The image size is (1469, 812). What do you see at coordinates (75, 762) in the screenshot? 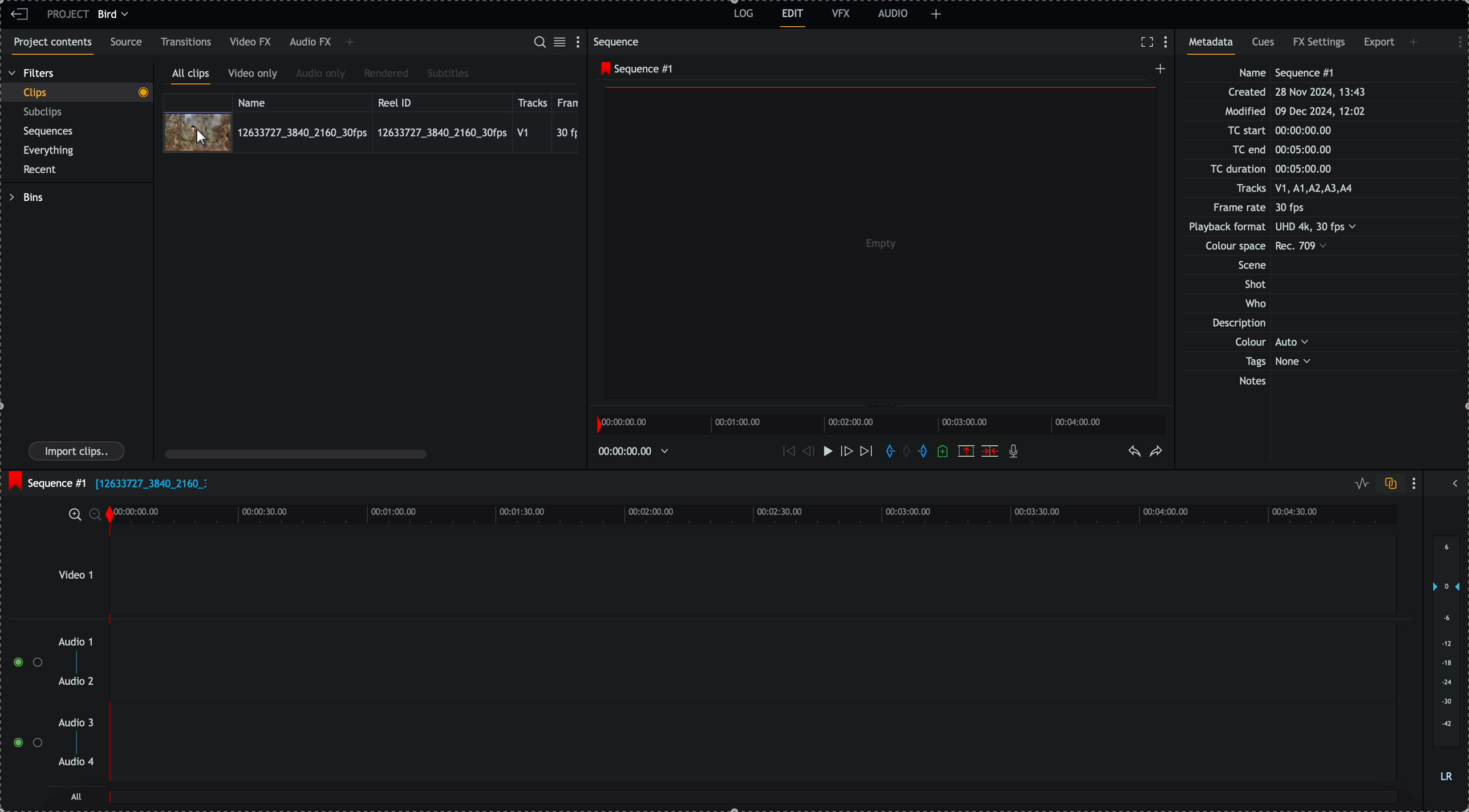
I see `audio 4` at bounding box center [75, 762].